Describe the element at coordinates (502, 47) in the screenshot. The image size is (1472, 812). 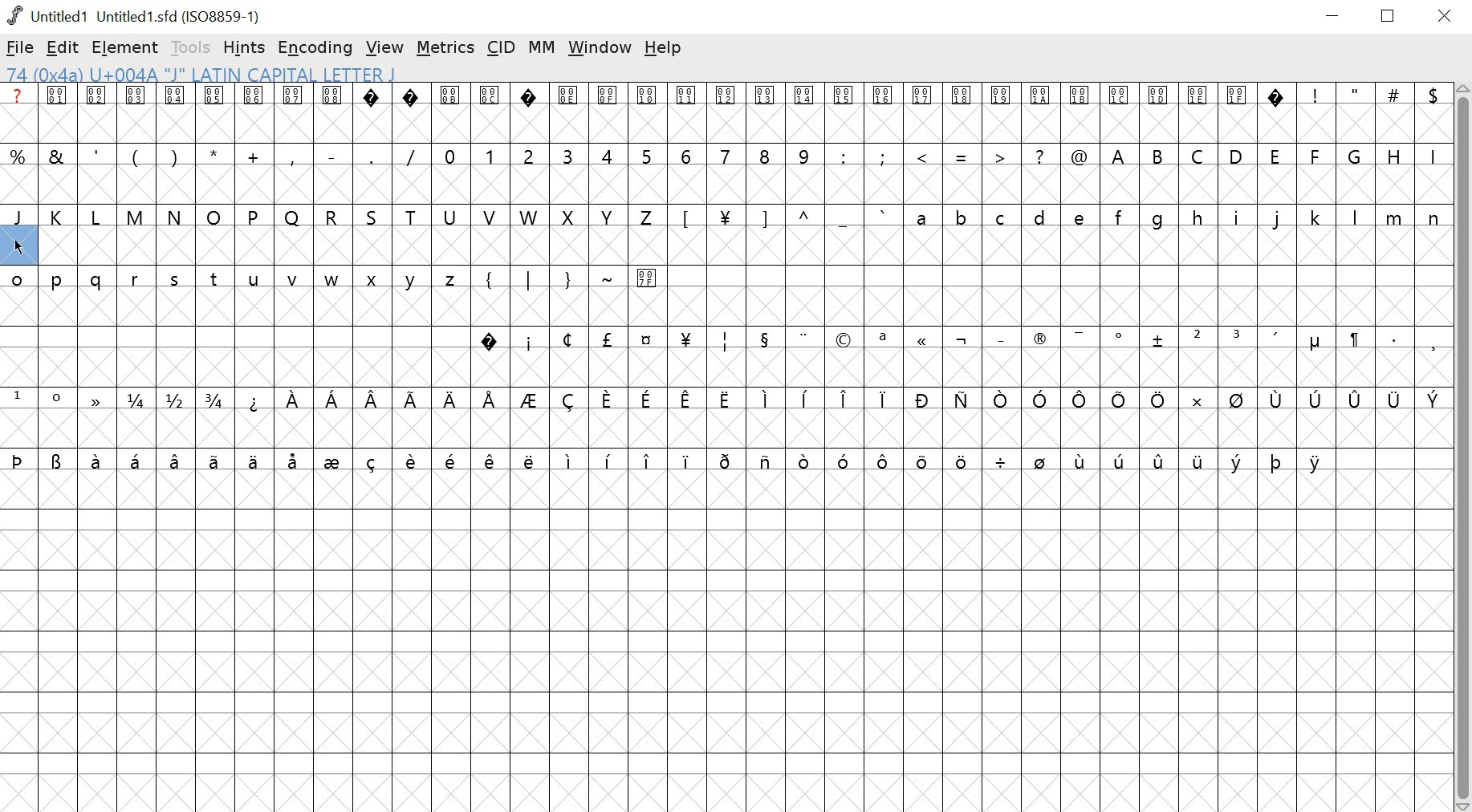
I see `CID` at that location.